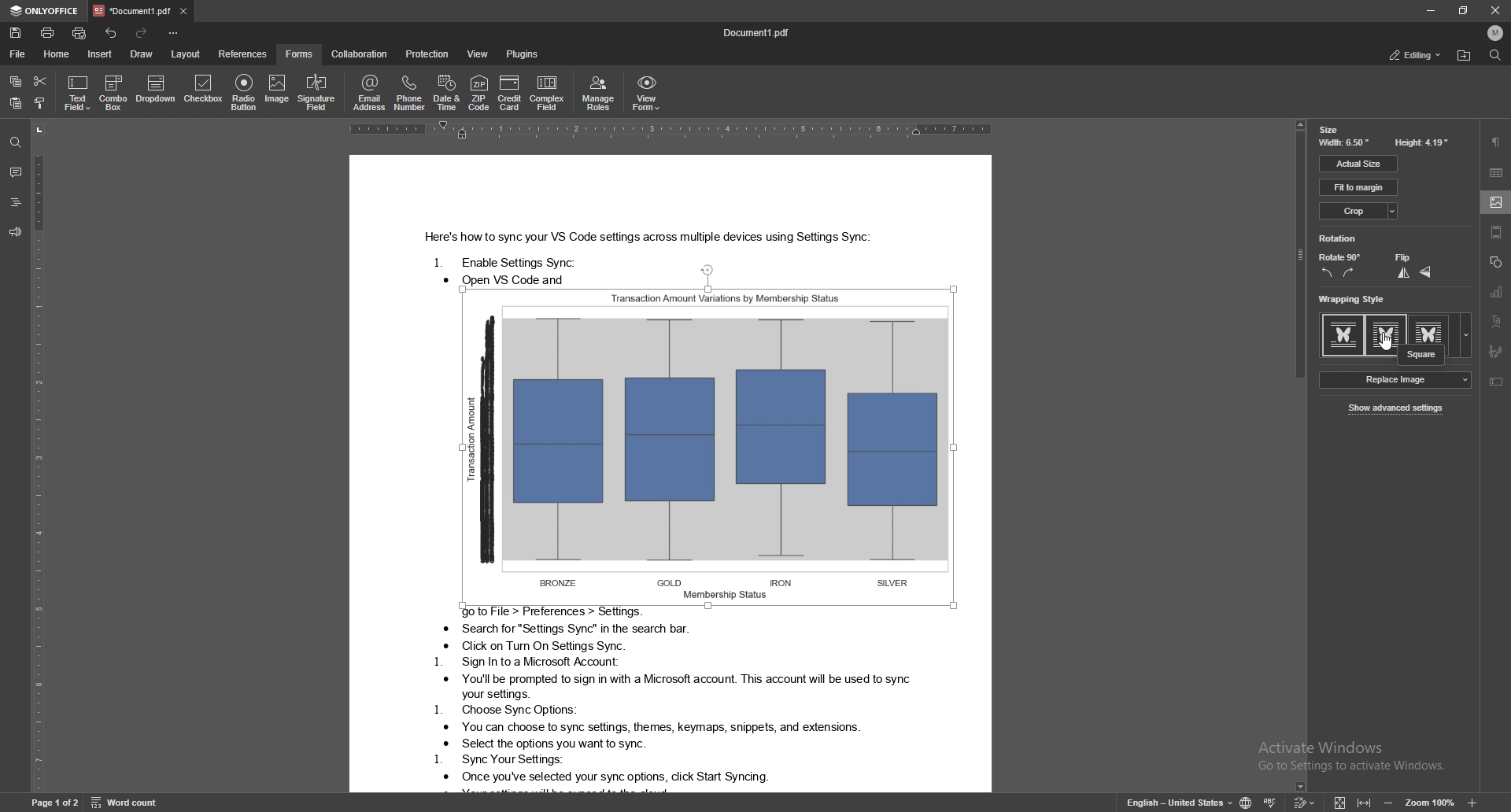  I want to click on header and footer, so click(1497, 232).